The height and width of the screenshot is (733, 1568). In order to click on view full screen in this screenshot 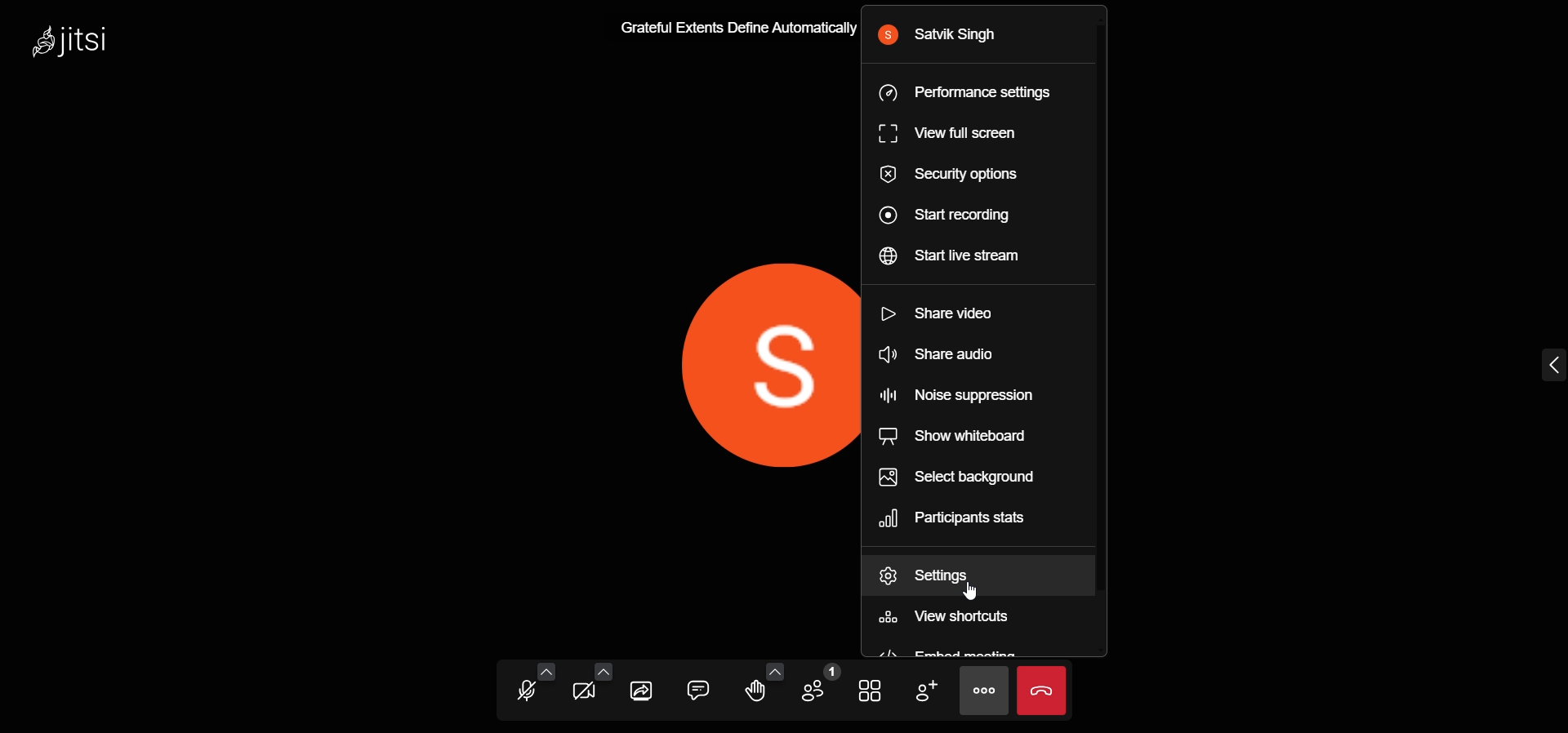, I will do `click(946, 132)`.